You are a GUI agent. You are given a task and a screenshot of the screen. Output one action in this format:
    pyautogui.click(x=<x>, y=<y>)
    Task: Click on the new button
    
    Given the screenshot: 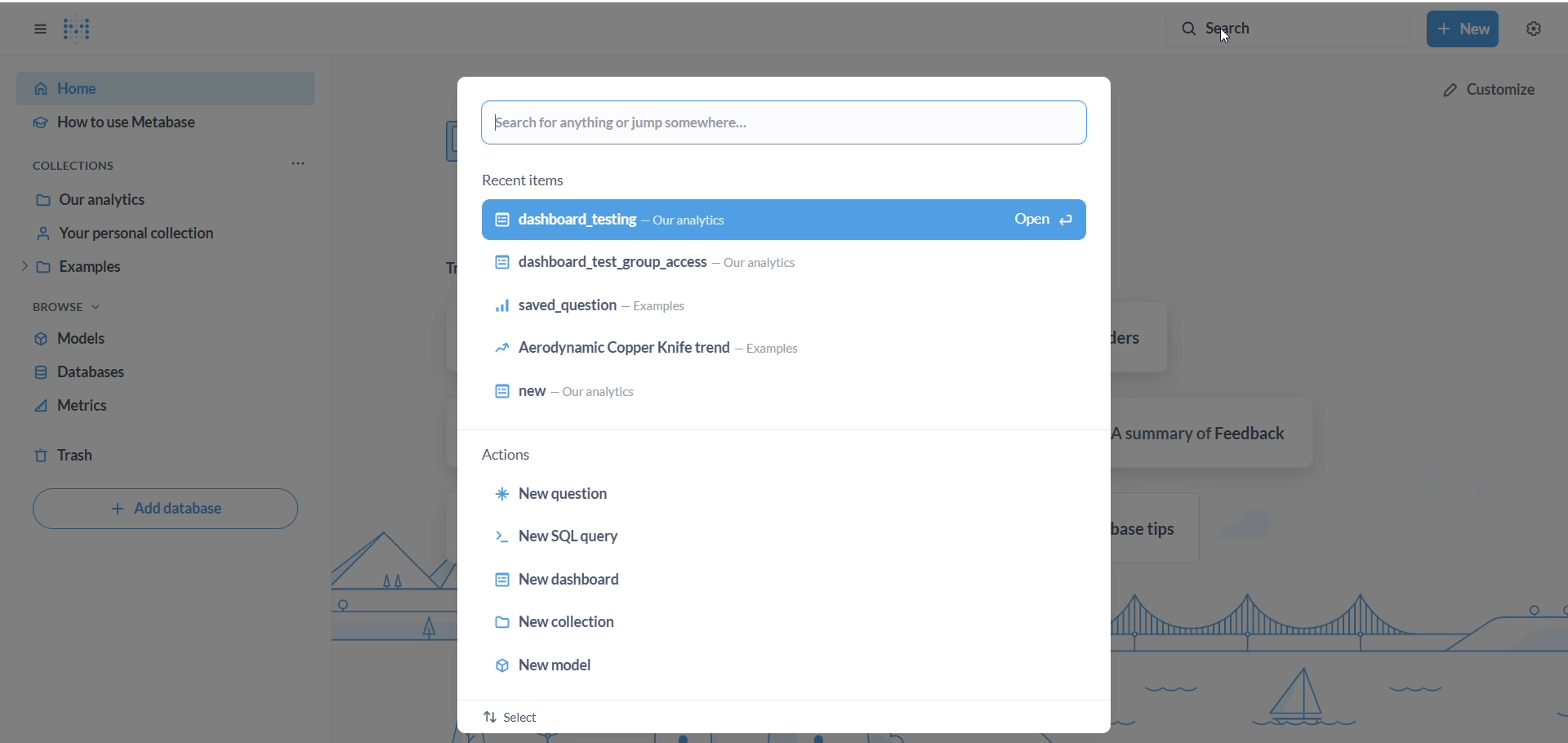 What is the action you would take?
    pyautogui.click(x=1466, y=29)
    